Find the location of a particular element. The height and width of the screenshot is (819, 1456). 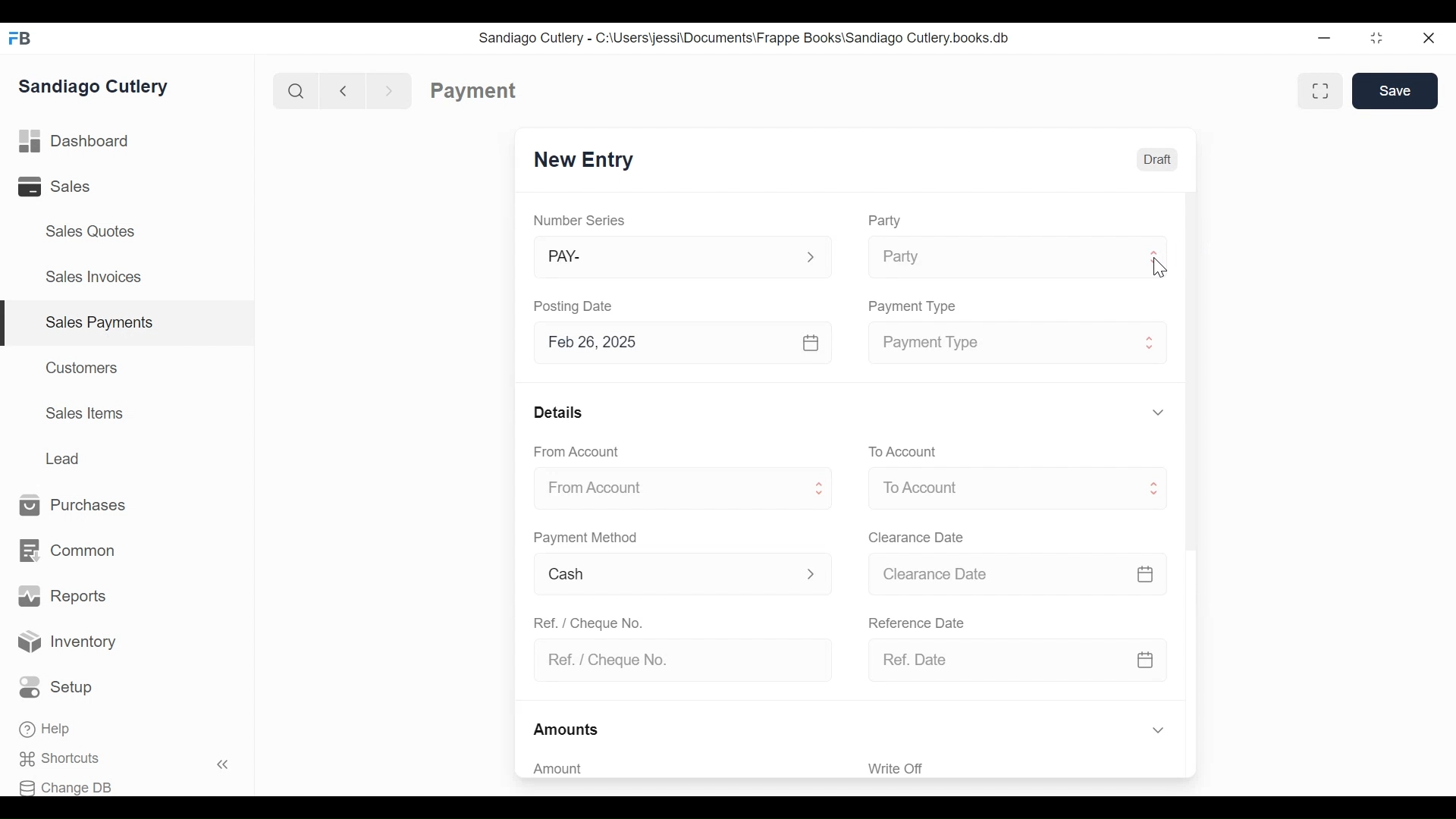

Purchases is located at coordinates (74, 506).